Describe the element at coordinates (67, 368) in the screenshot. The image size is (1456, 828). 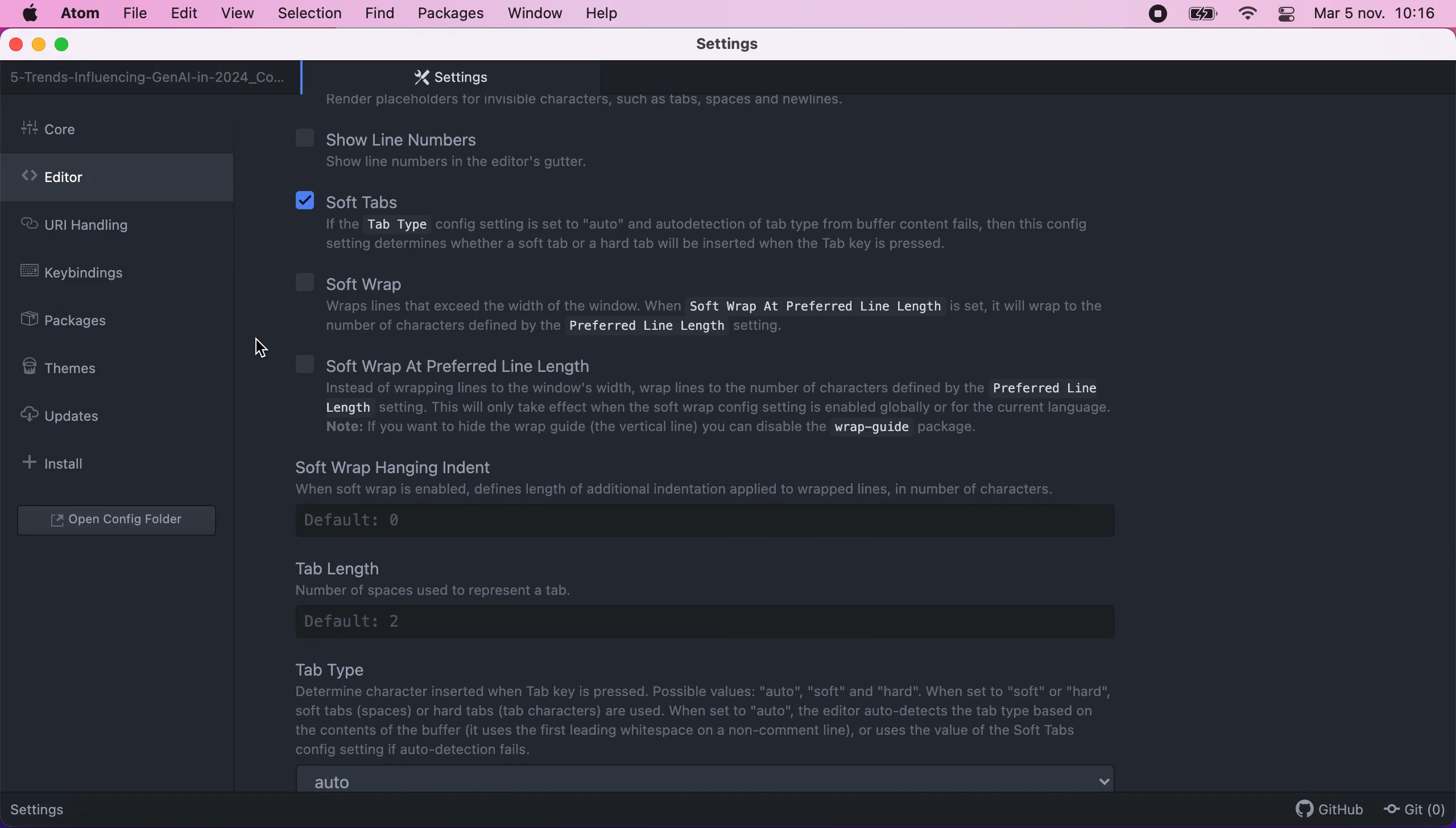
I see `themes` at that location.